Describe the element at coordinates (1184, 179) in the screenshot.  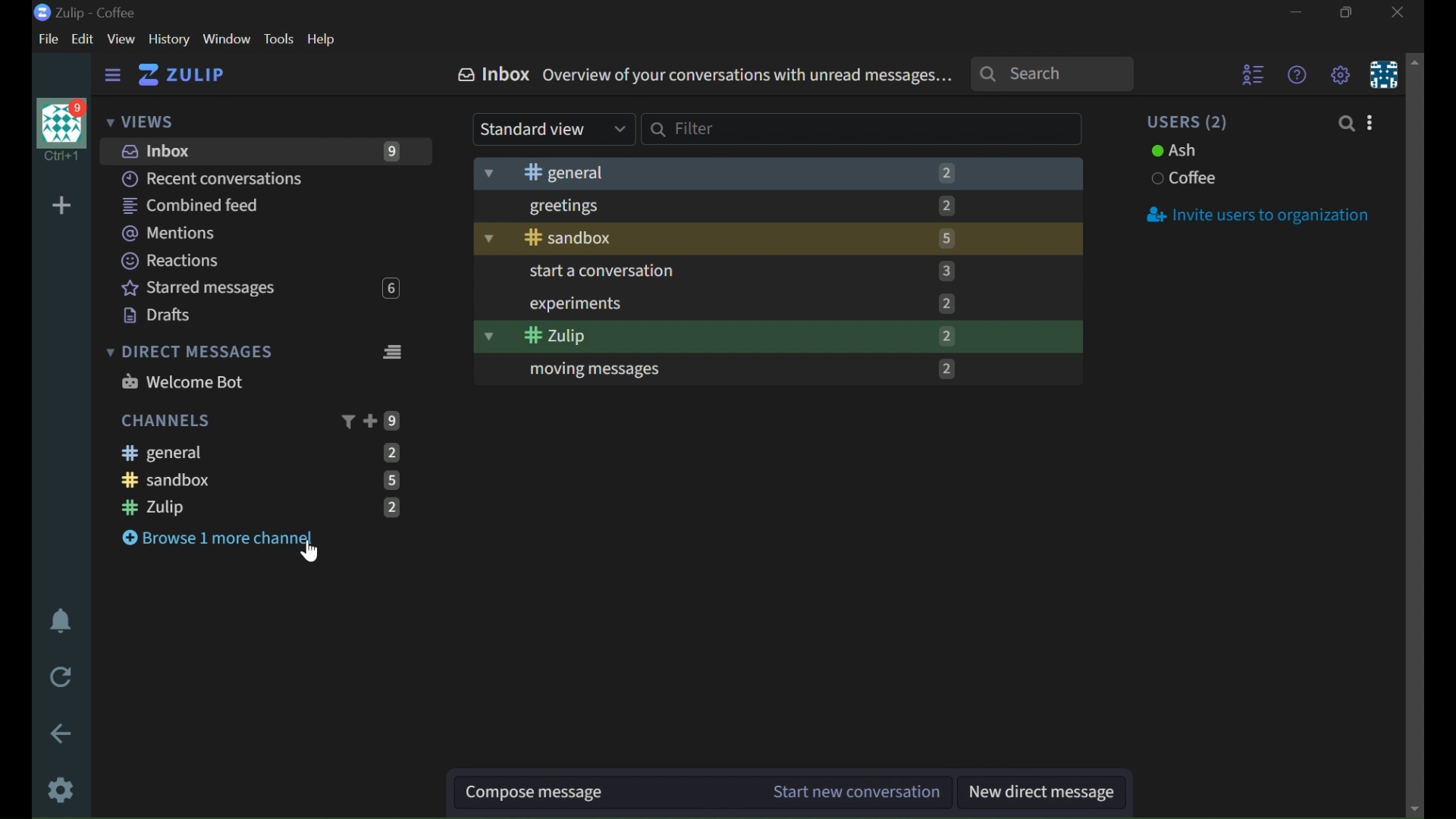
I see `COFFEE` at that location.